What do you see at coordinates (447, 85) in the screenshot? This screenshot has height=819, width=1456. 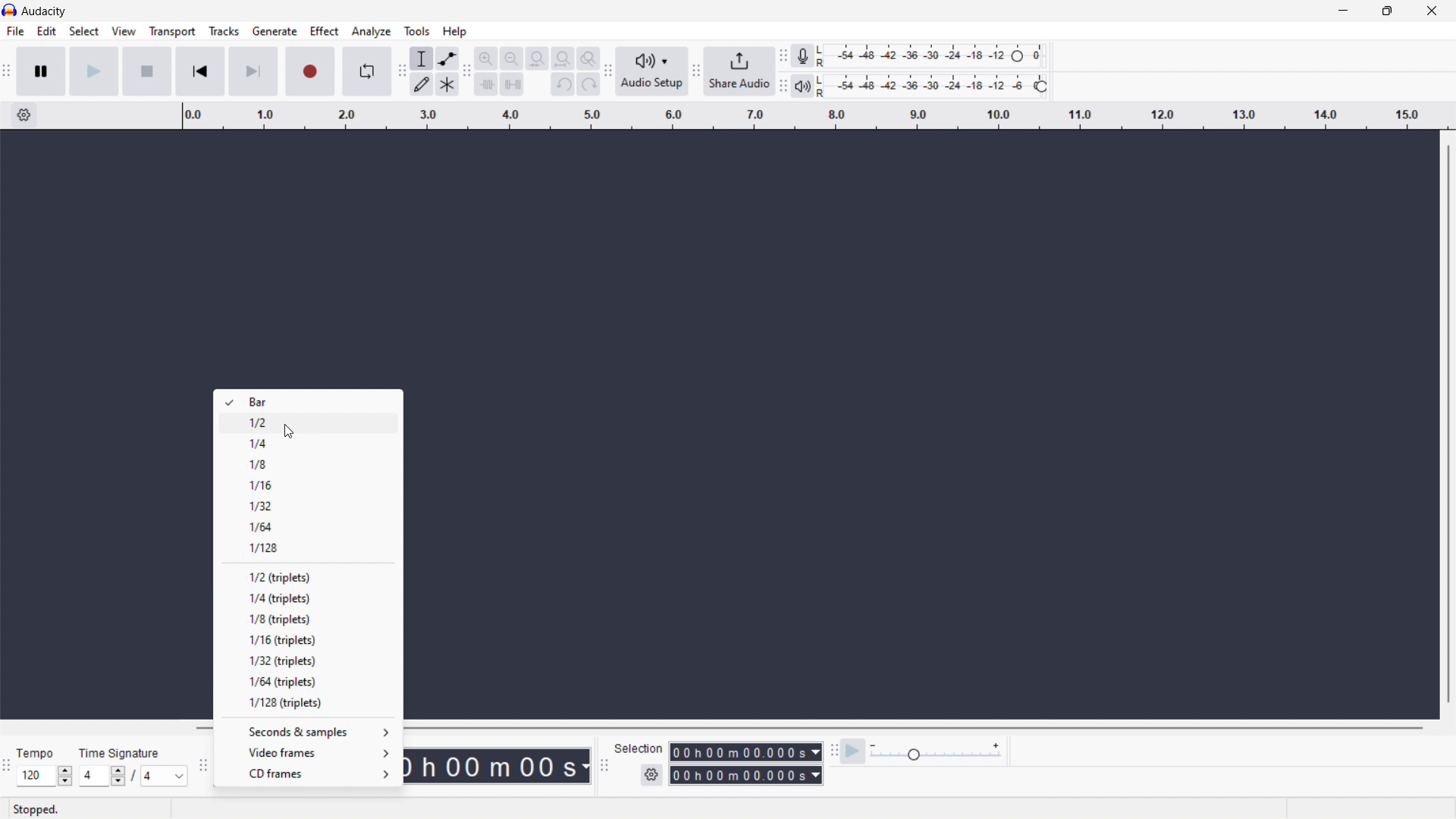 I see `multi tool` at bounding box center [447, 85].